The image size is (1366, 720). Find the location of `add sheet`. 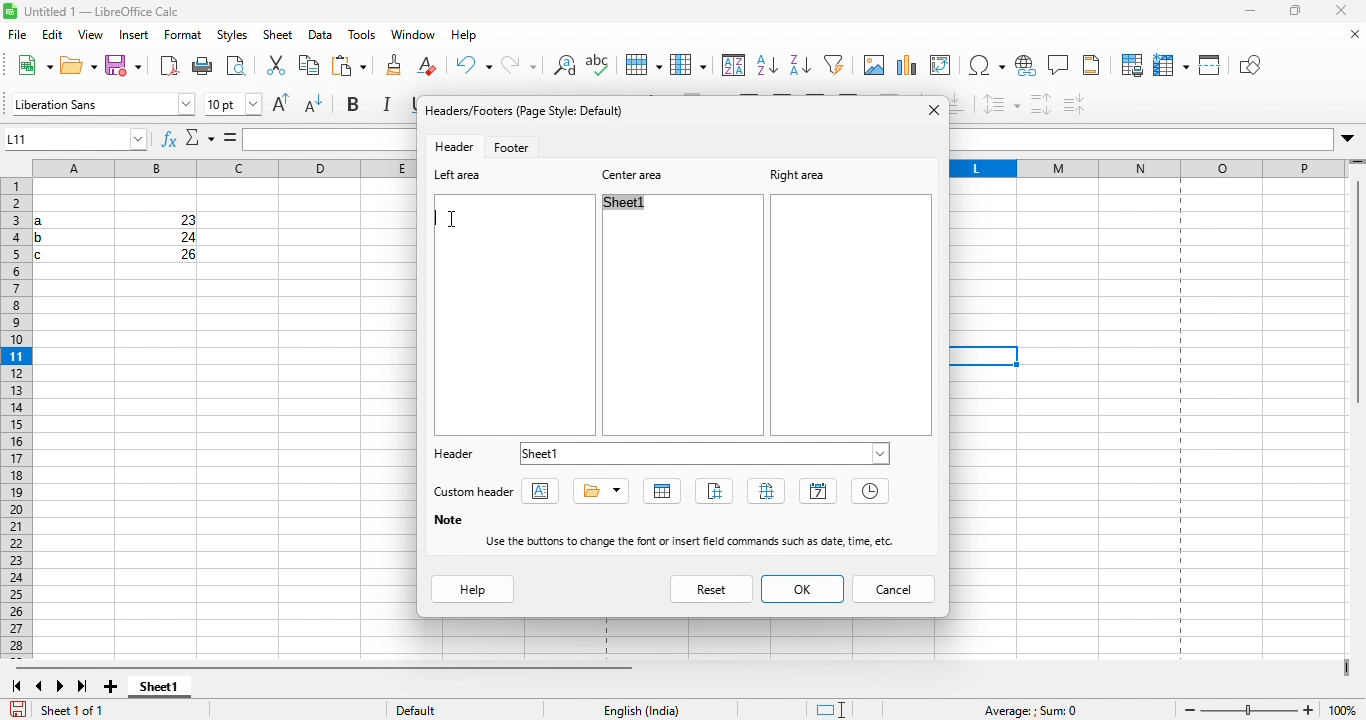

add sheet is located at coordinates (113, 681).